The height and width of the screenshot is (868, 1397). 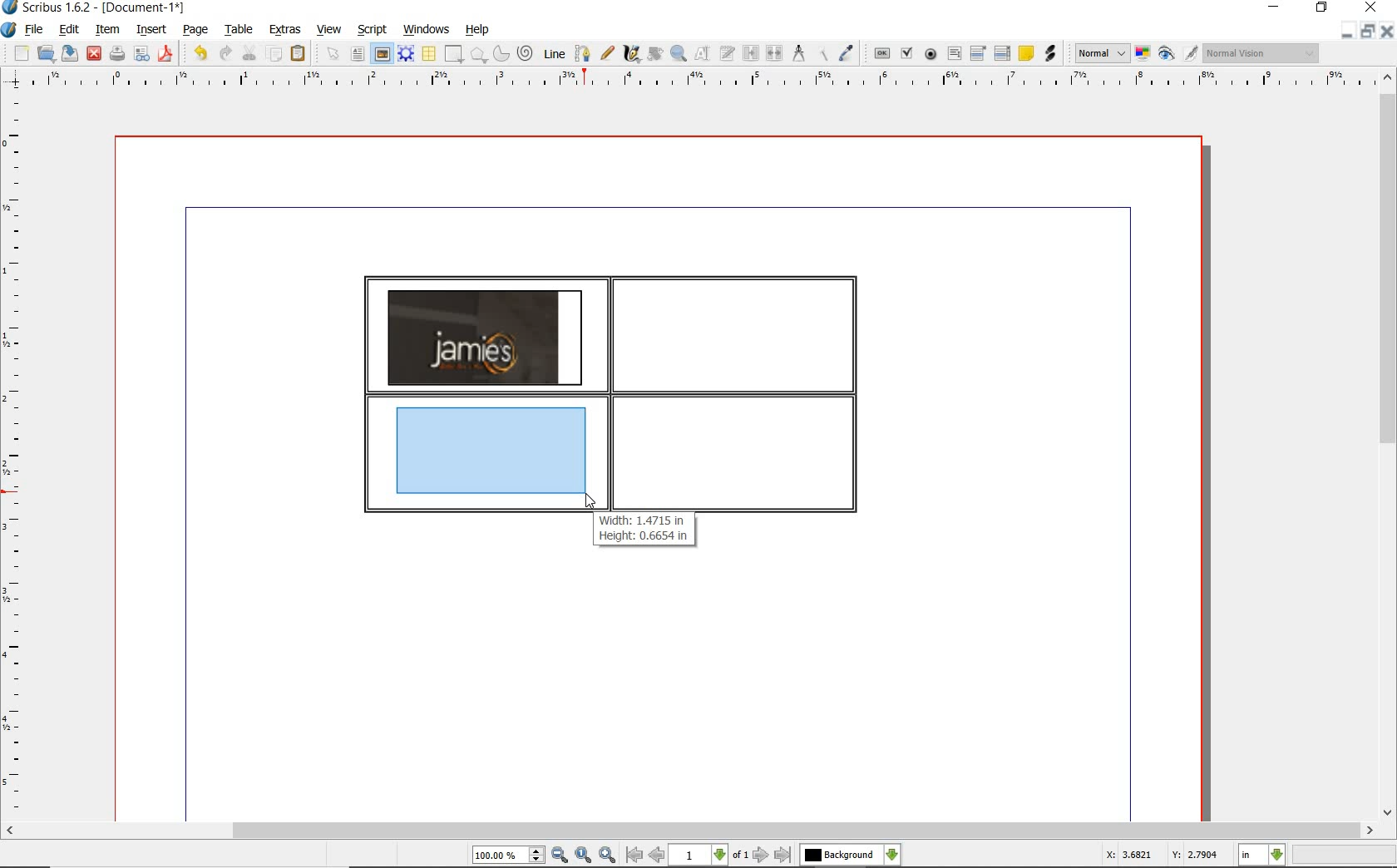 What do you see at coordinates (656, 856) in the screenshot?
I see `go to previous page` at bounding box center [656, 856].